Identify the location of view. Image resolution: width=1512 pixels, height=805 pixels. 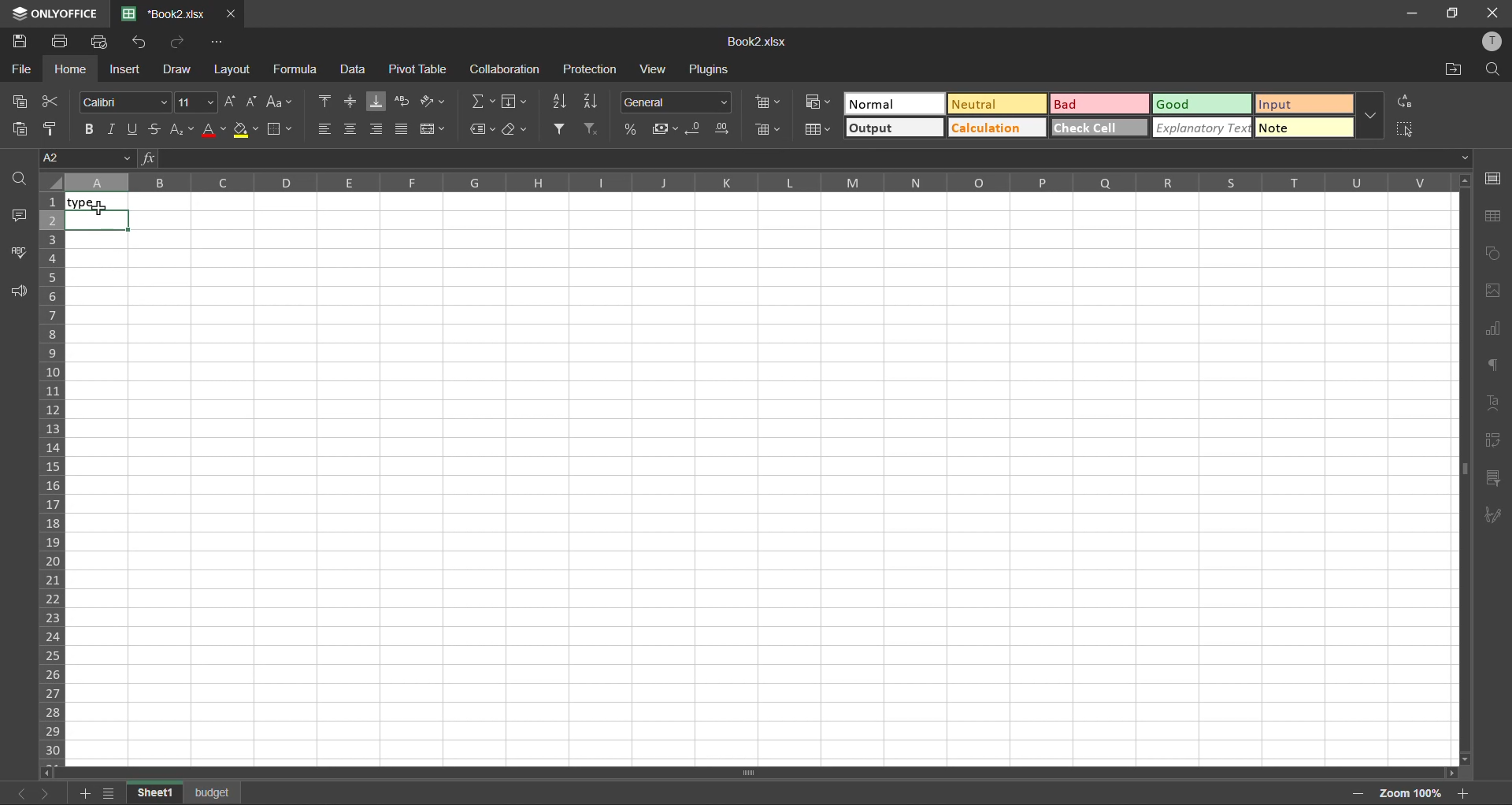
(655, 69).